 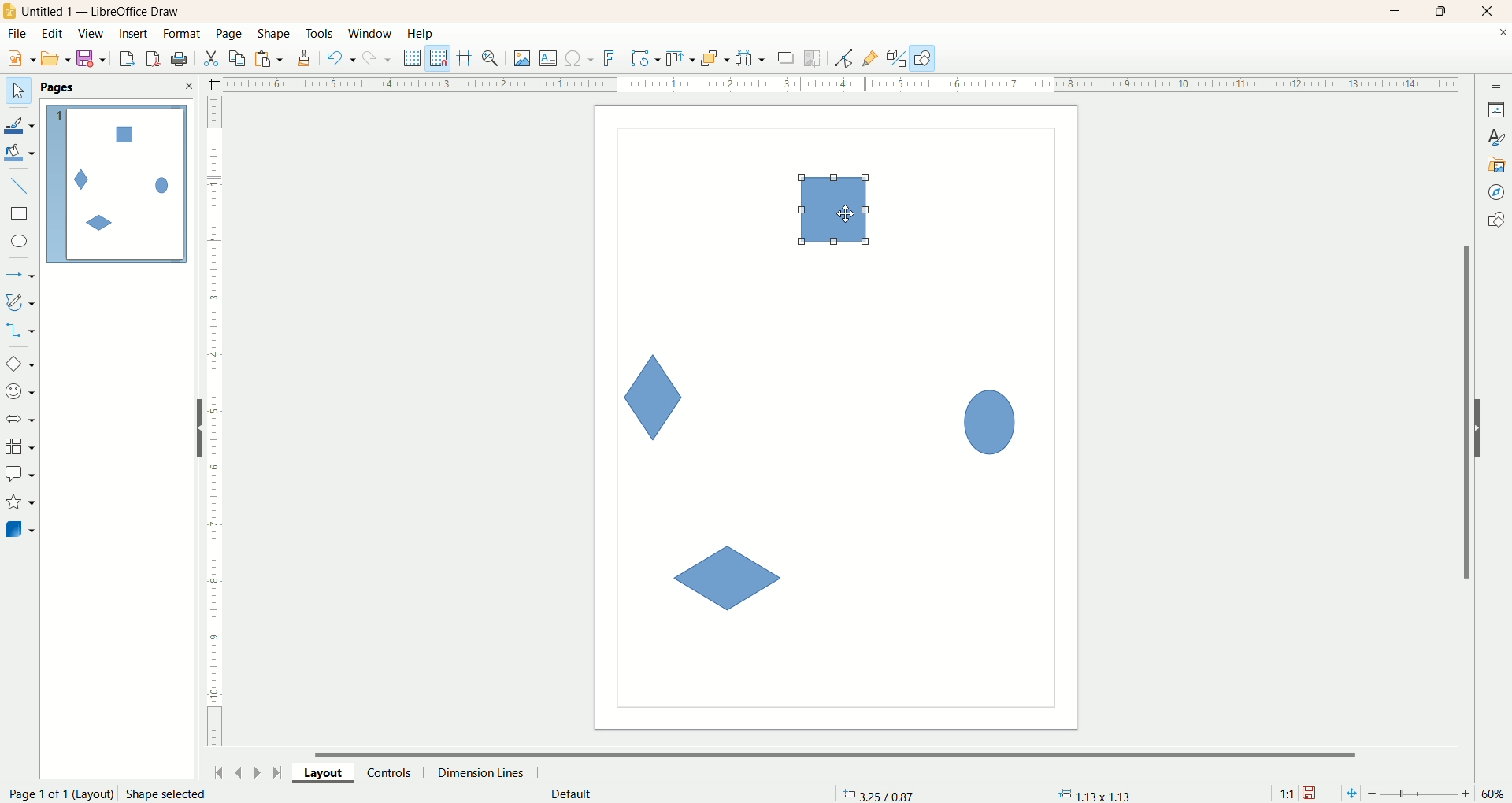 What do you see at coordinates (18, 91) in the screenshot?
I see `select` at bounding box center [18, 91].